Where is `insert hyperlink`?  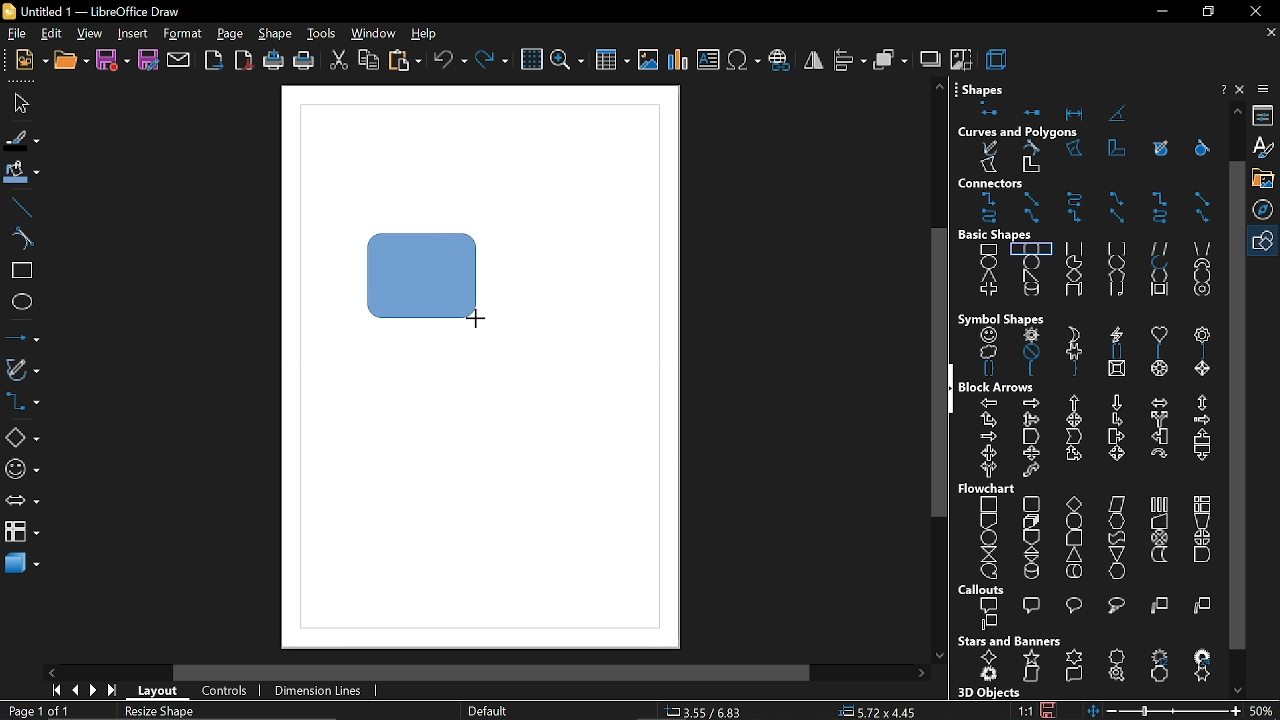 insert hyperlink is located at coordinates (780, 61).